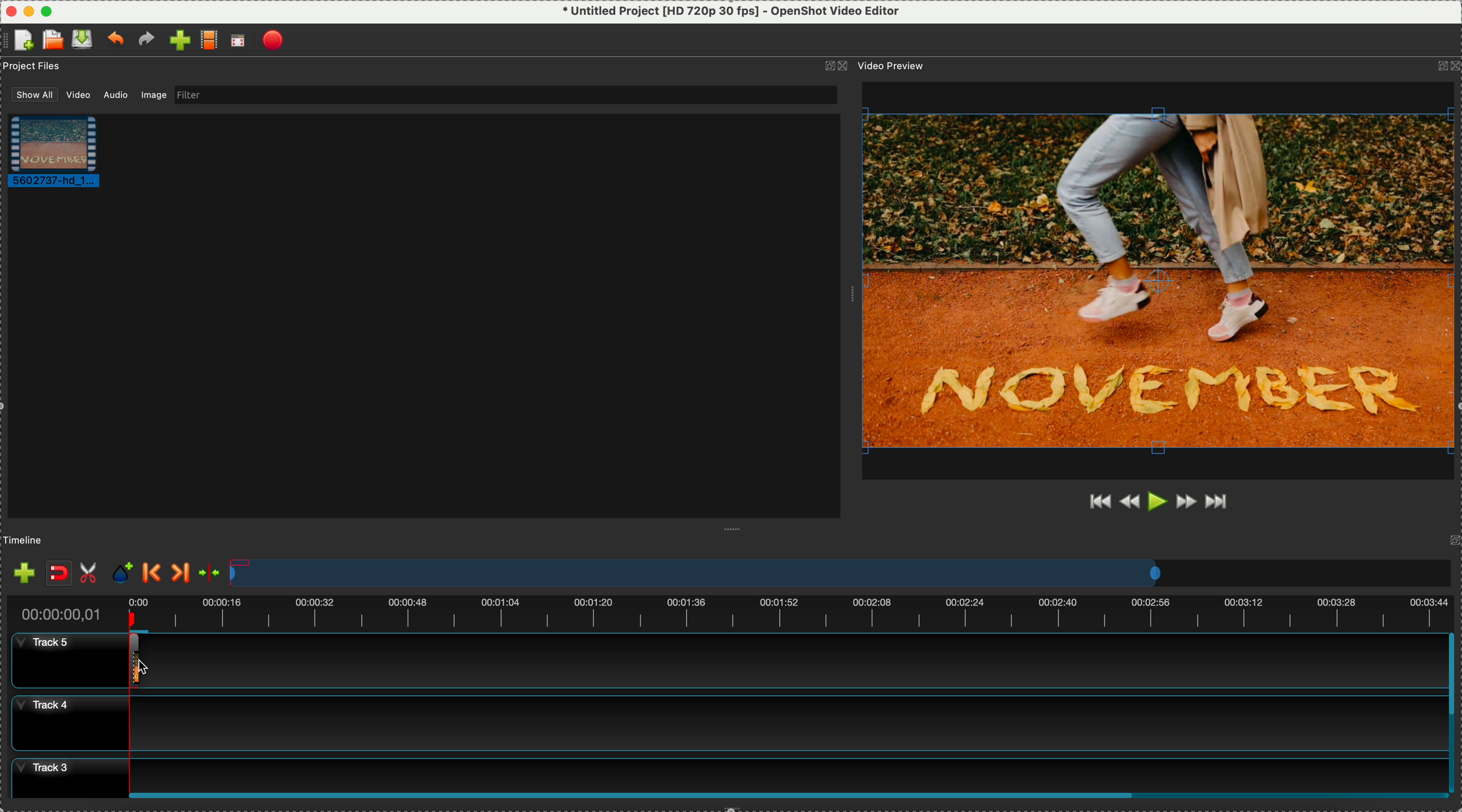  I want to click on add mark, so click(125, 573).